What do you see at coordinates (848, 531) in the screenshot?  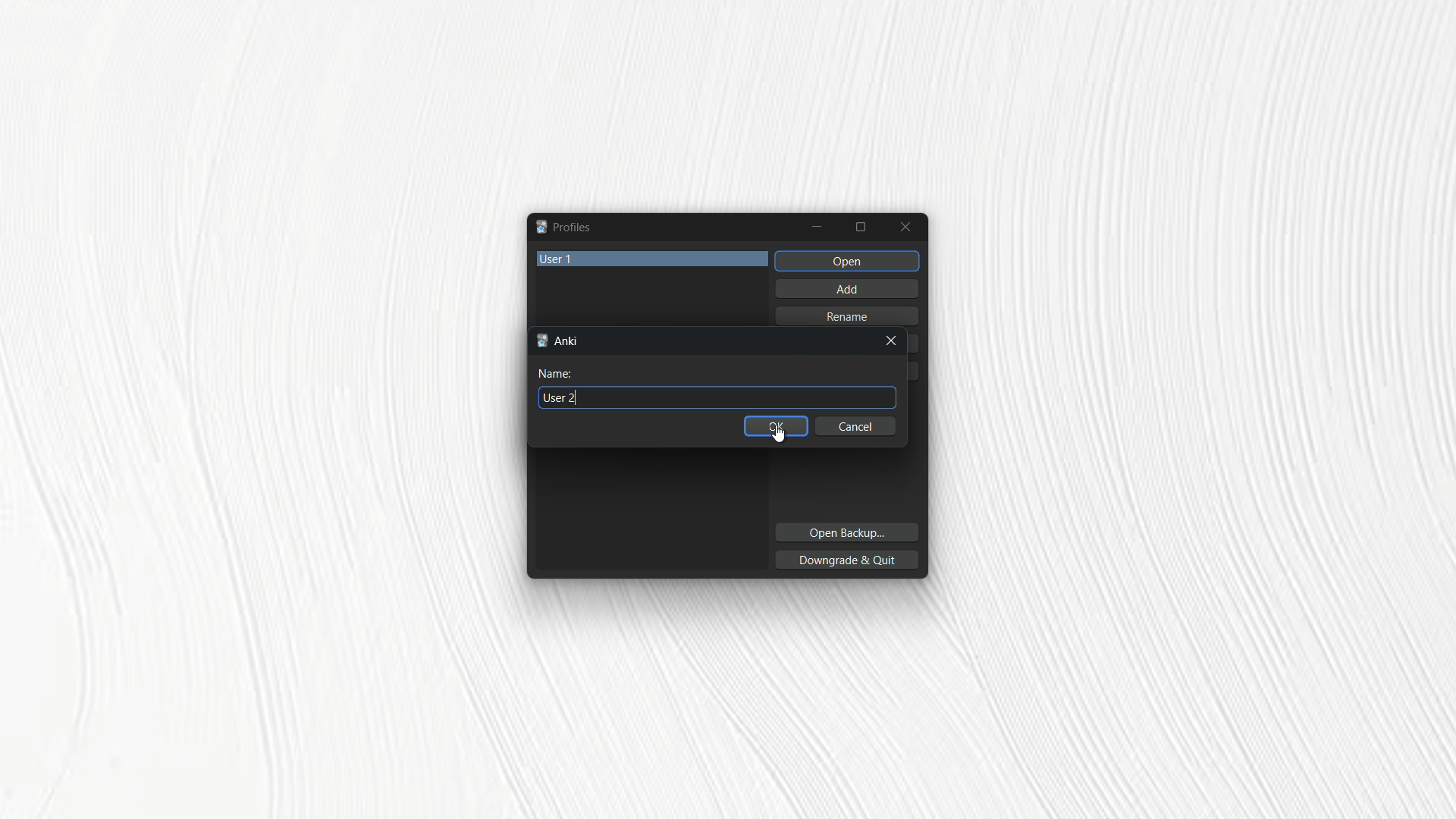 I see `Open backup` at bounding box center [848, 531].